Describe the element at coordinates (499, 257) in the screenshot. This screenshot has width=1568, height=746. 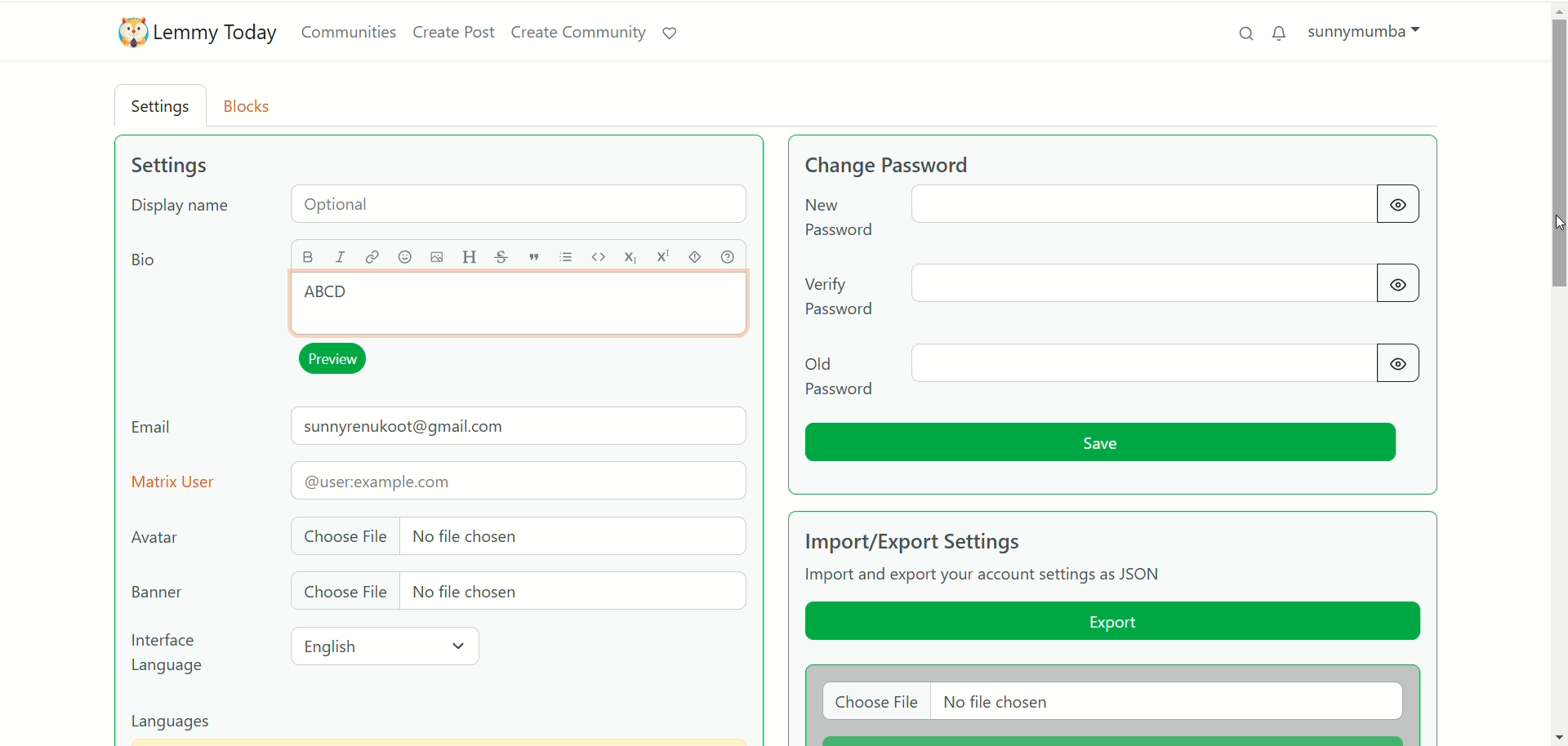
I see `strikethrough` at that location.